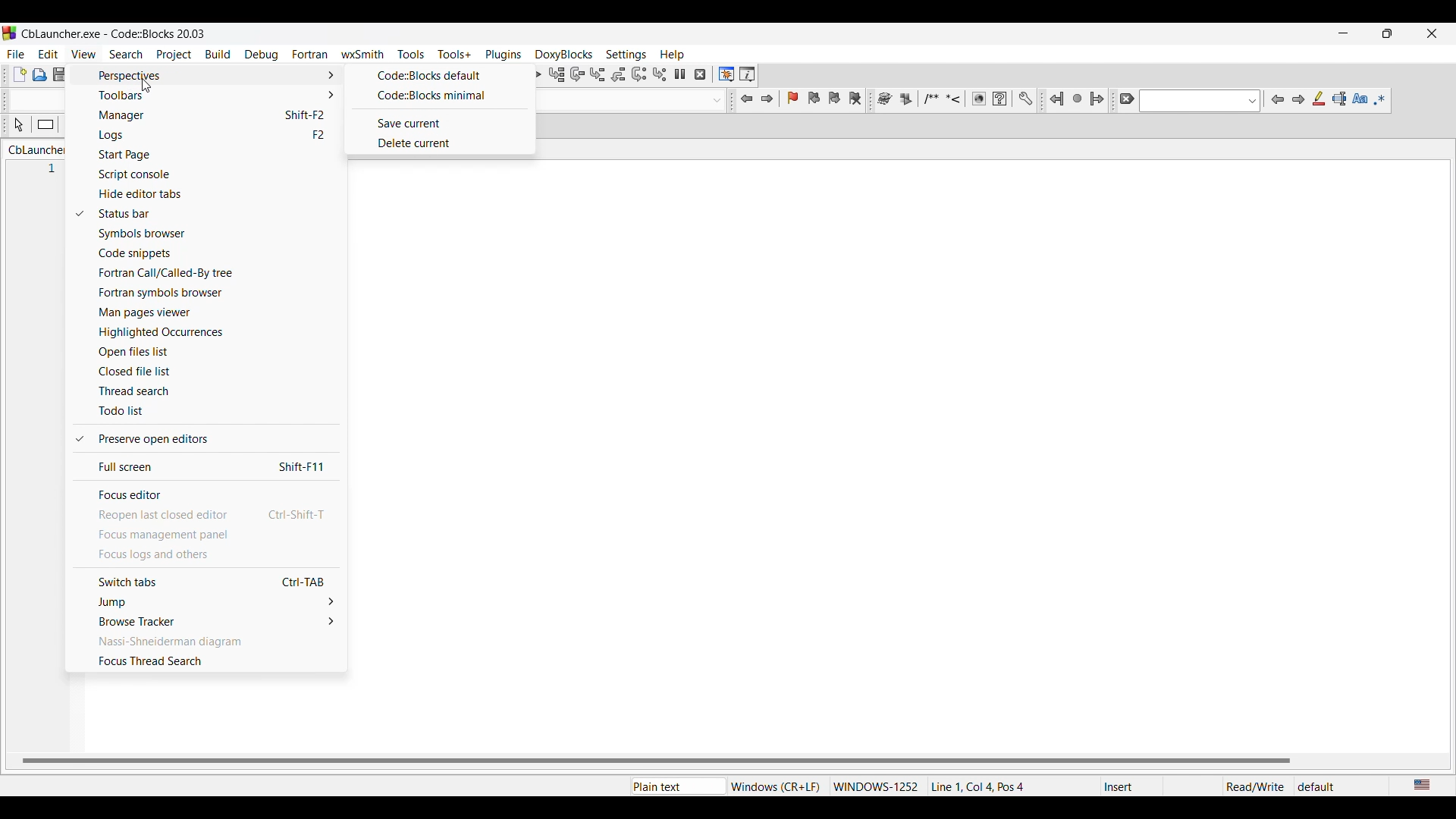 Image resolution: width=1456 pixels, height=819 pixels. What do you see at coordinates (117, 787) in the screenshot?
I see `File location` at bounding box center [117, 787].